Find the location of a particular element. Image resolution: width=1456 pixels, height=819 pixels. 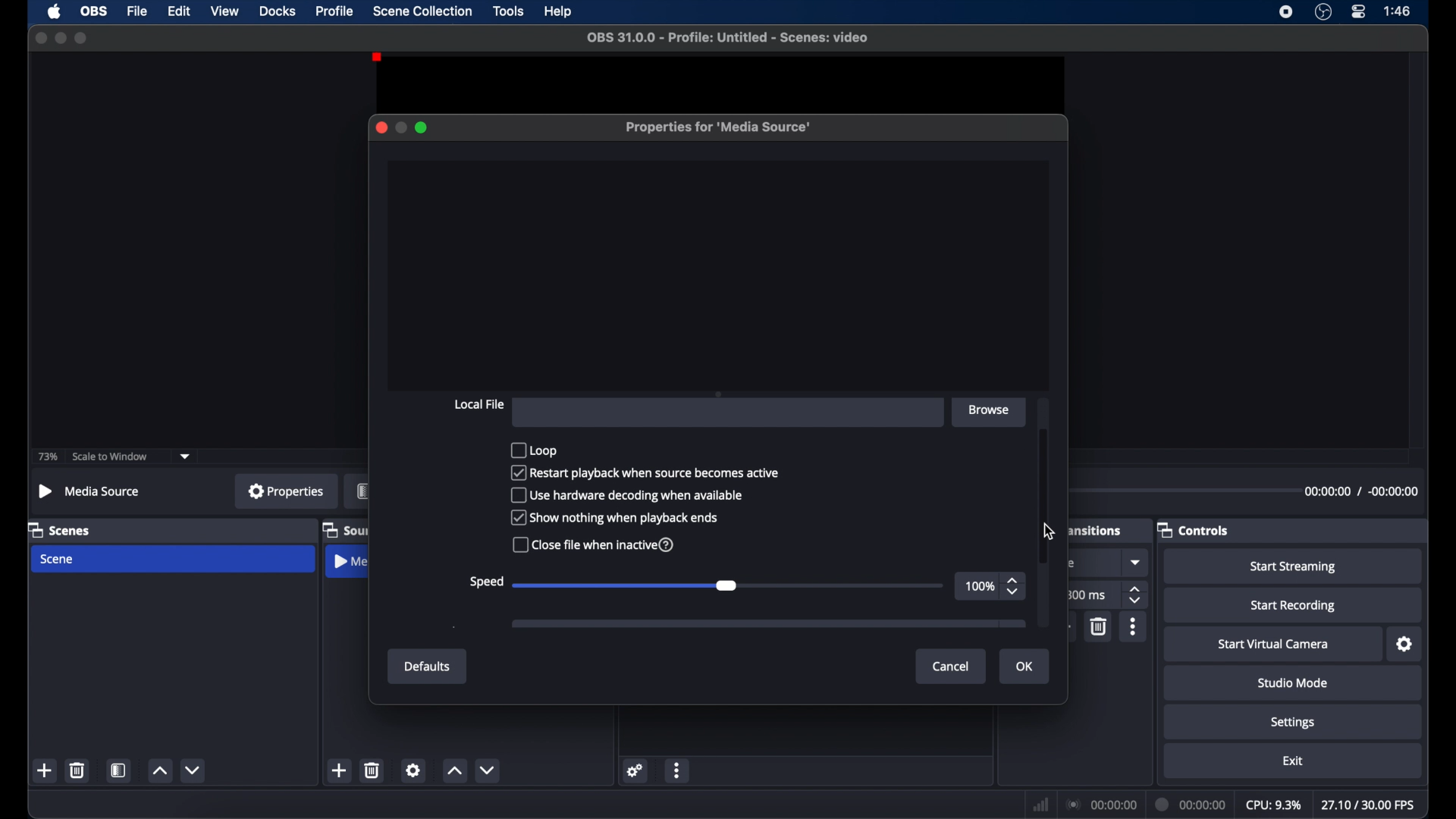

obscure text is located at coordinates (1074, 563).